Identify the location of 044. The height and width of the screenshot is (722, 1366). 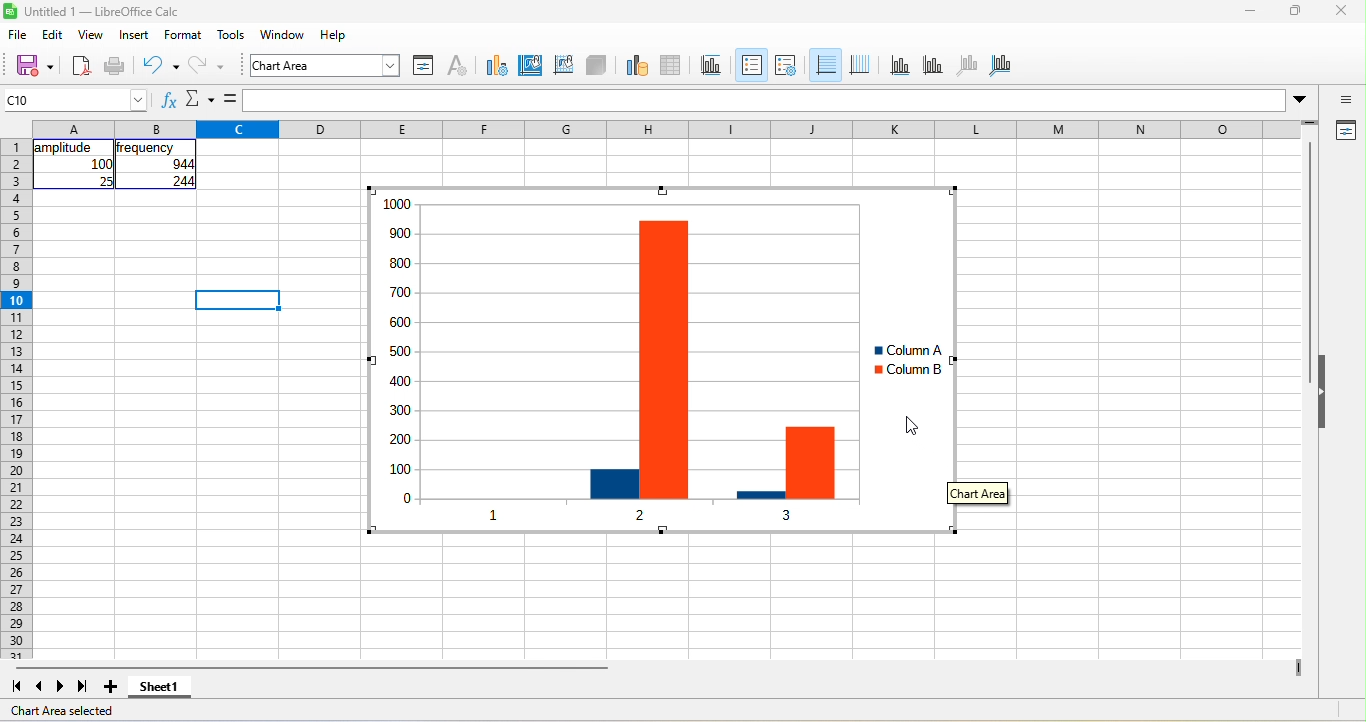
(183, 164).